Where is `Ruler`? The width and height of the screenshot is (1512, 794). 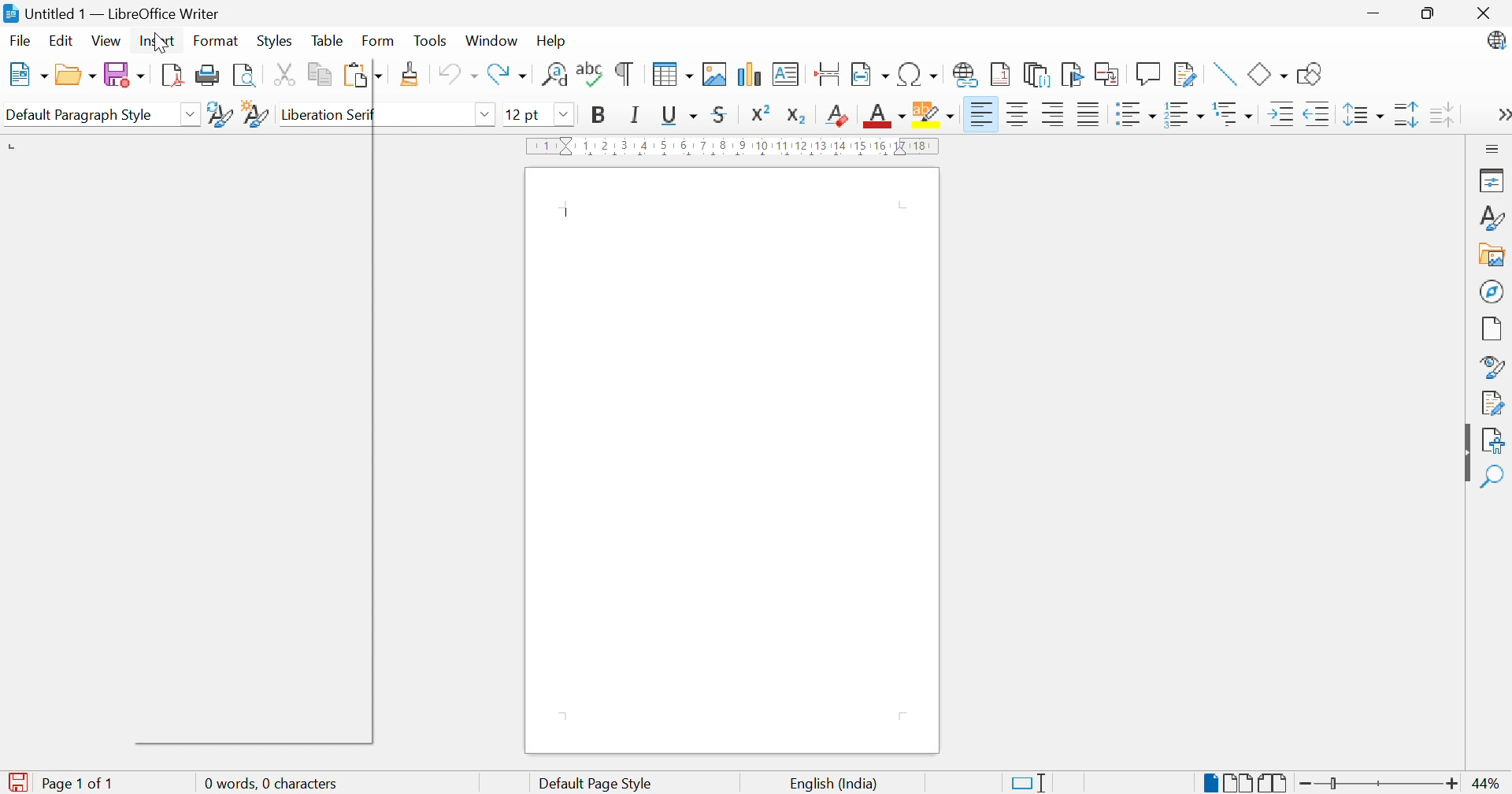
Ruler is located at coordinates (735, 147).